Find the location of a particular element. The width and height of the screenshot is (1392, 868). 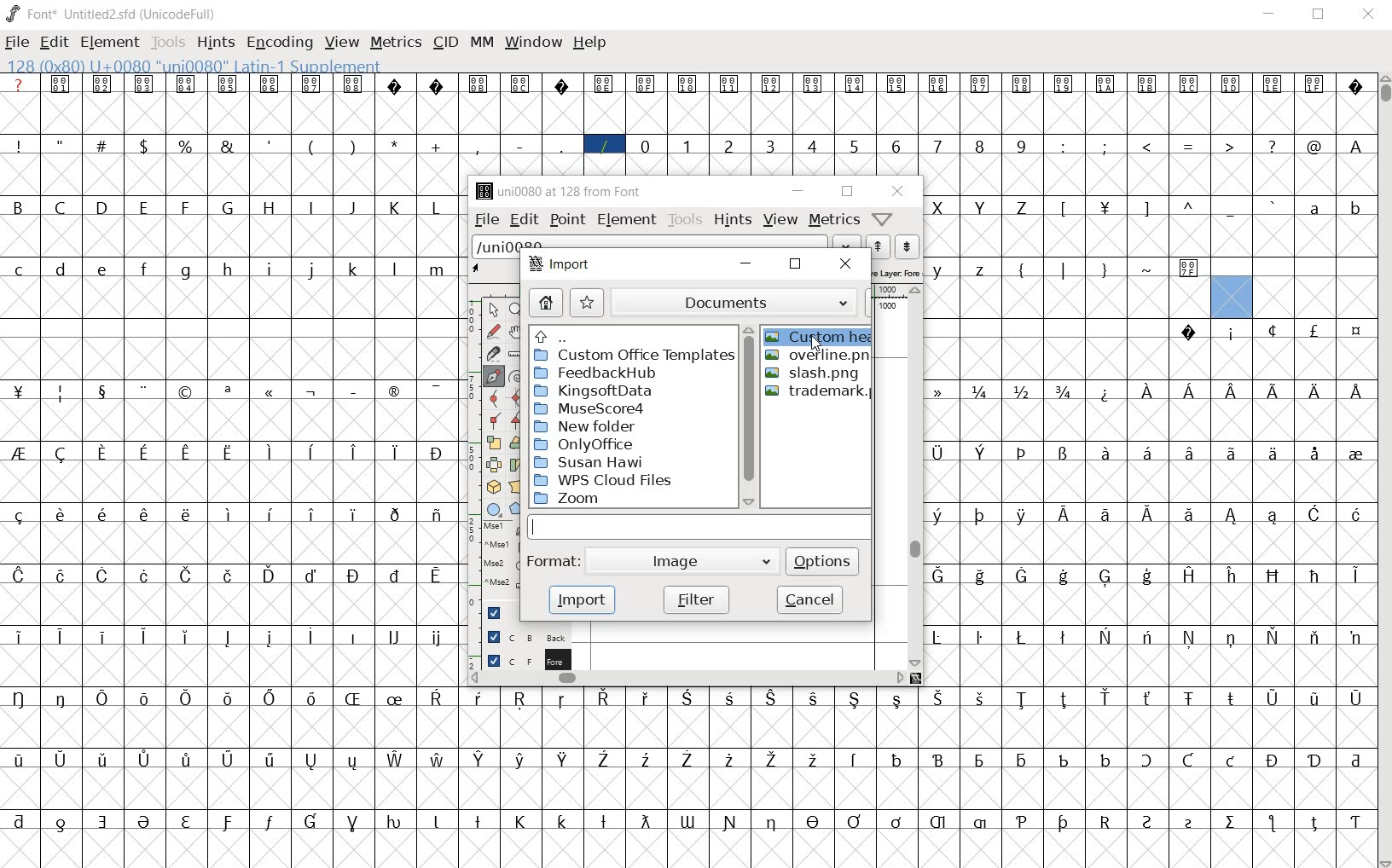

glyph is located at coordinates (105, 270).